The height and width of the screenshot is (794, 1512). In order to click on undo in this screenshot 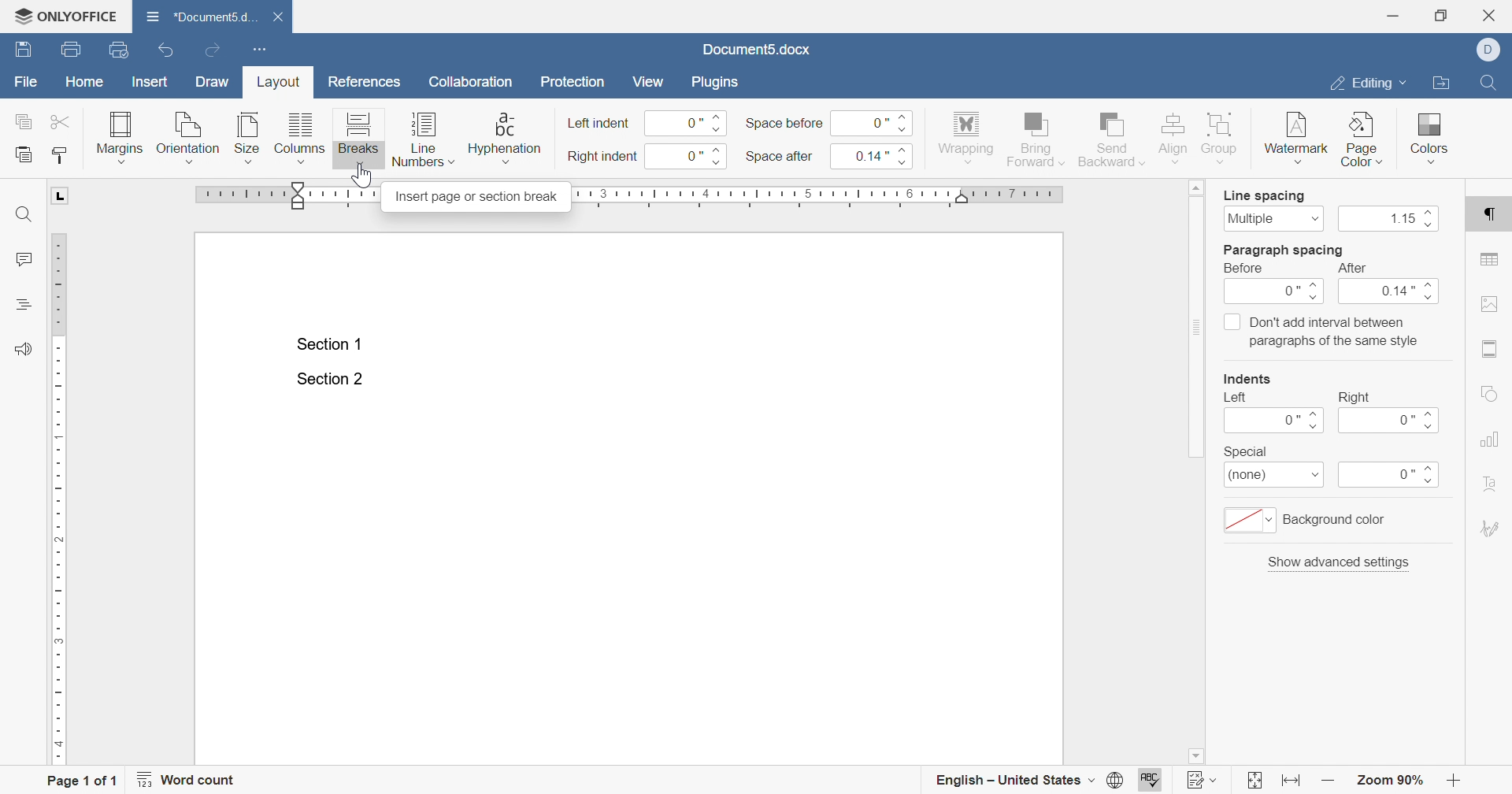, I will do `click(165, 50)`.